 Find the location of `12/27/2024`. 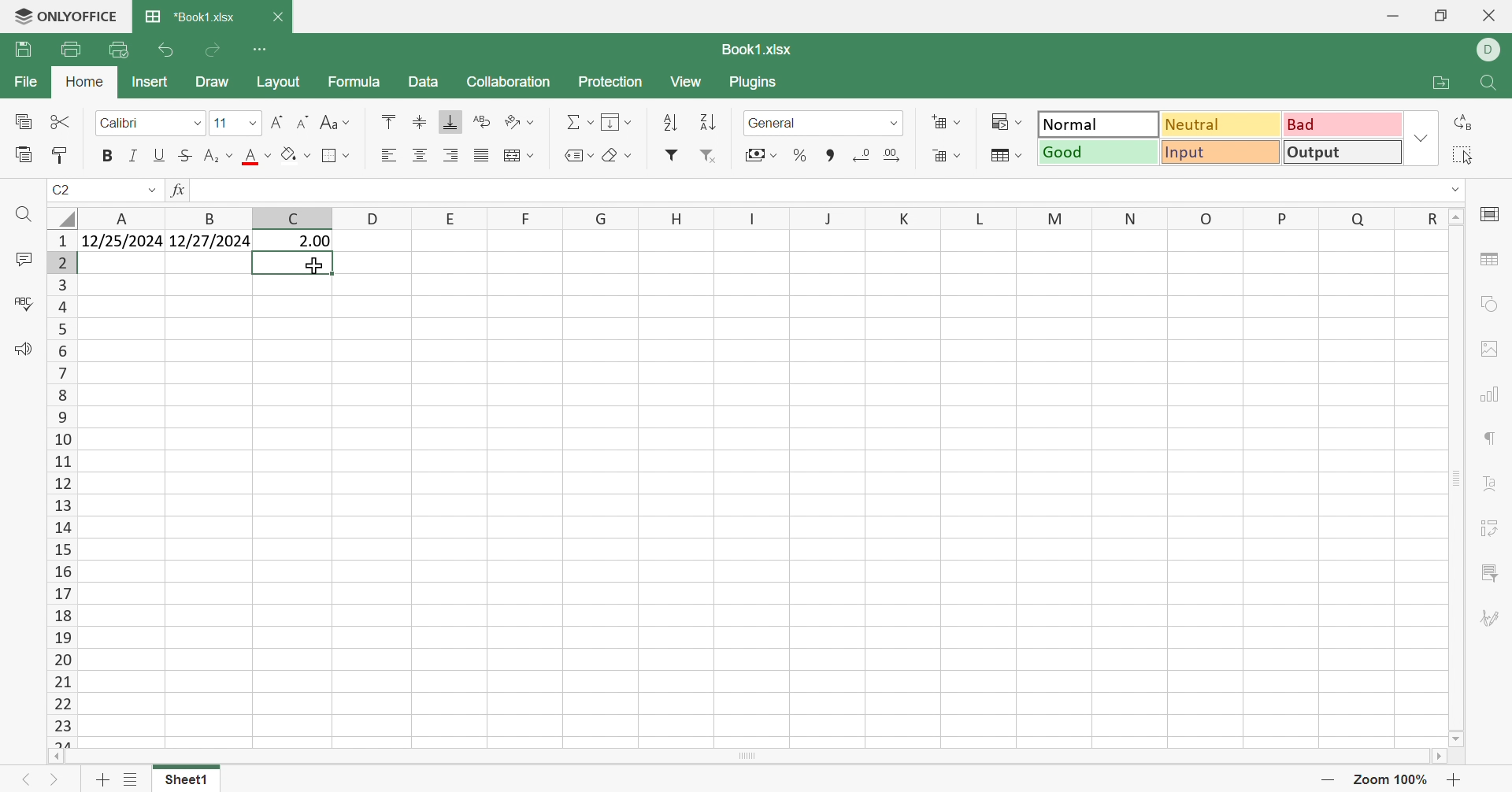

12/27/2024 is located at coordinates (210, 242).